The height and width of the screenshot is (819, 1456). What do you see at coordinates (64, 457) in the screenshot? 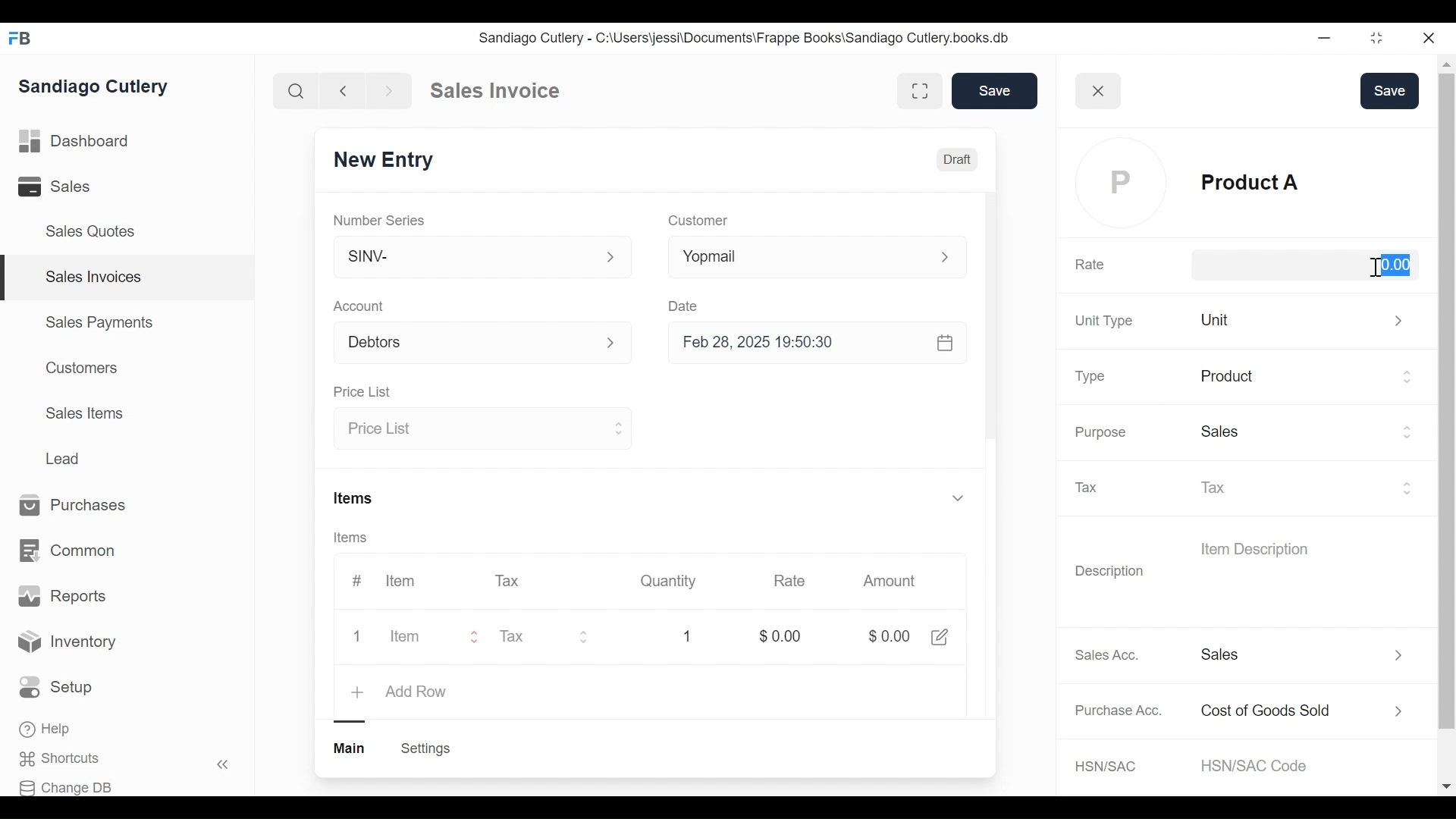
I see `Lead` at bounding box center [64, 457].